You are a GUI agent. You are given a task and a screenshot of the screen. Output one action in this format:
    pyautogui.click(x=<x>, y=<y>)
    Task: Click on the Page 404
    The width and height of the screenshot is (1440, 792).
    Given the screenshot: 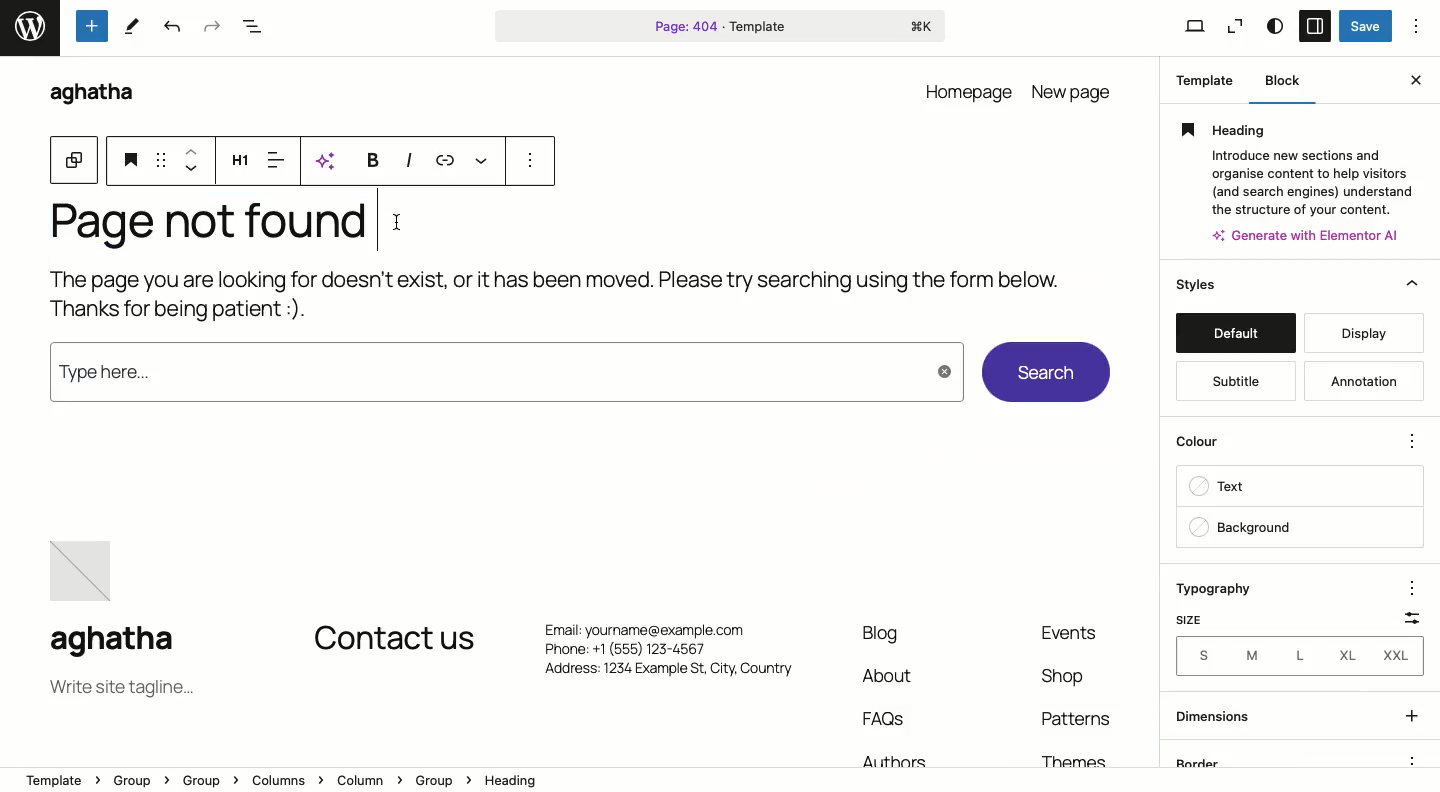 What is the action you would take?
    pyautogui.click(x=722, y=25)
    